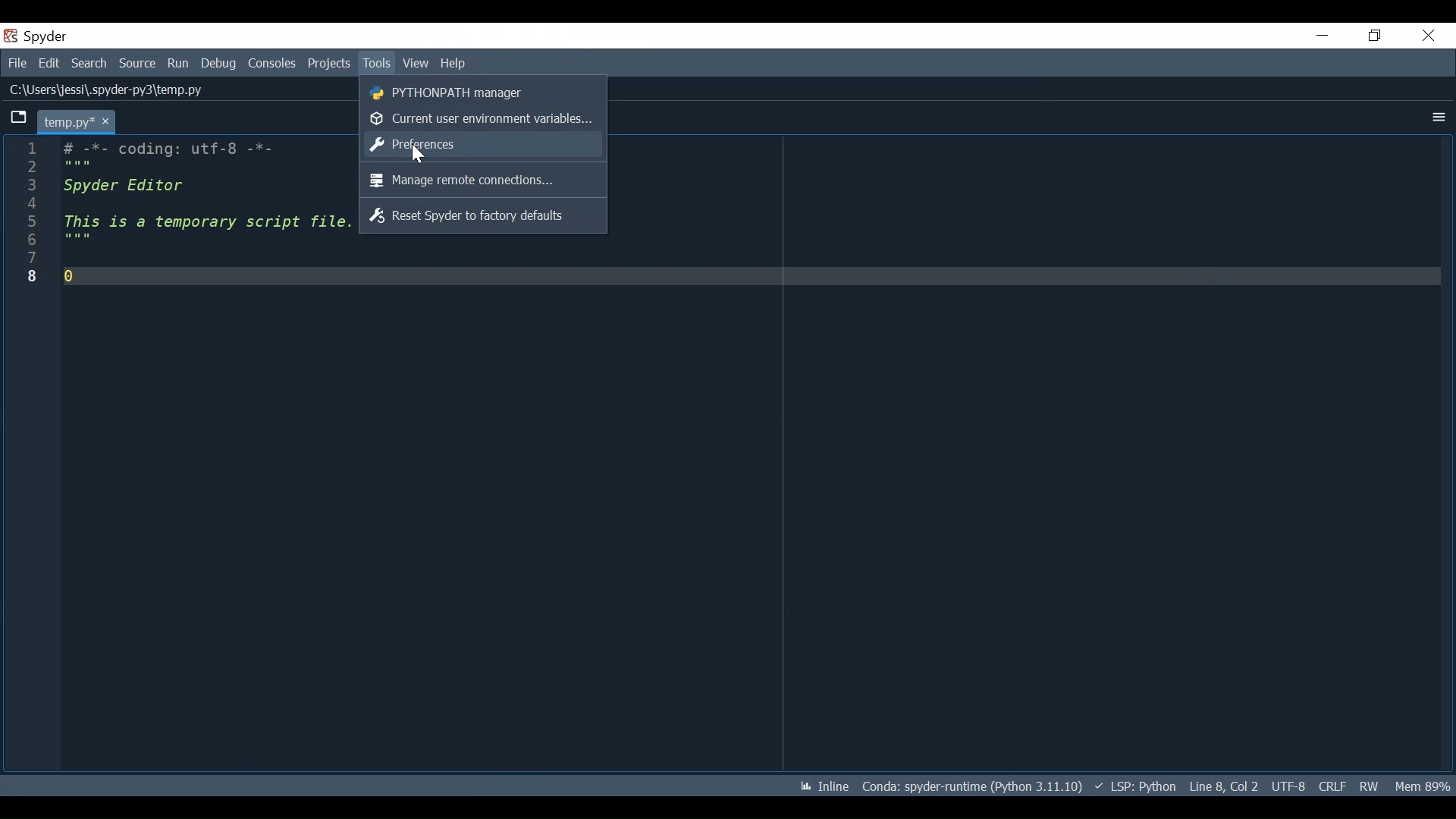 This screenshot has height=819, width=1456. Describe the element at coordinates (485, 93) in the screenshot. I see `PYTHONPATH Manager` at that location.